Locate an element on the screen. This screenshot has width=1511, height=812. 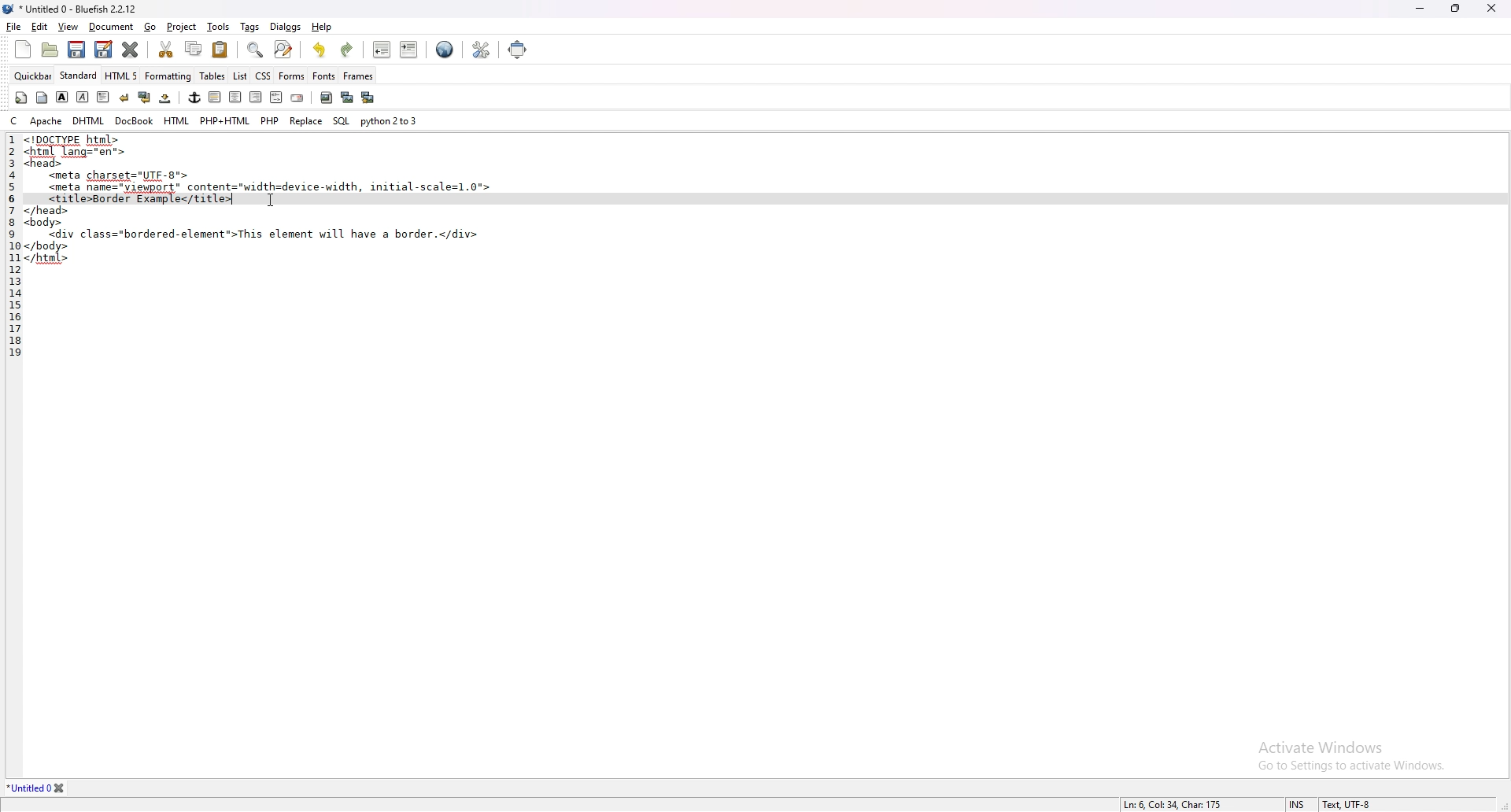
replace is located at coordinates (306, 121).